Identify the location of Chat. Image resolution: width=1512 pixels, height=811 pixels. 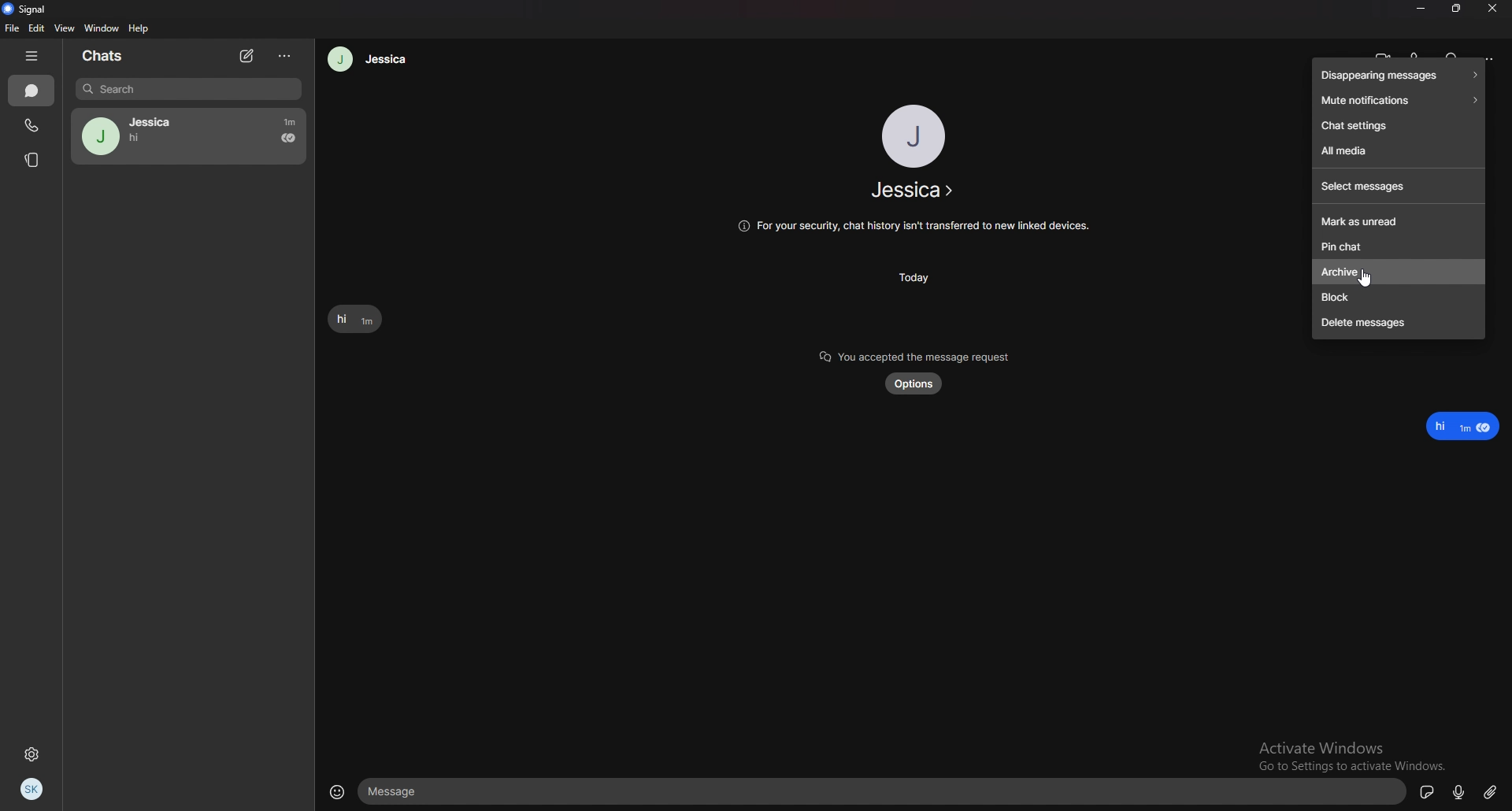
(31, 91).